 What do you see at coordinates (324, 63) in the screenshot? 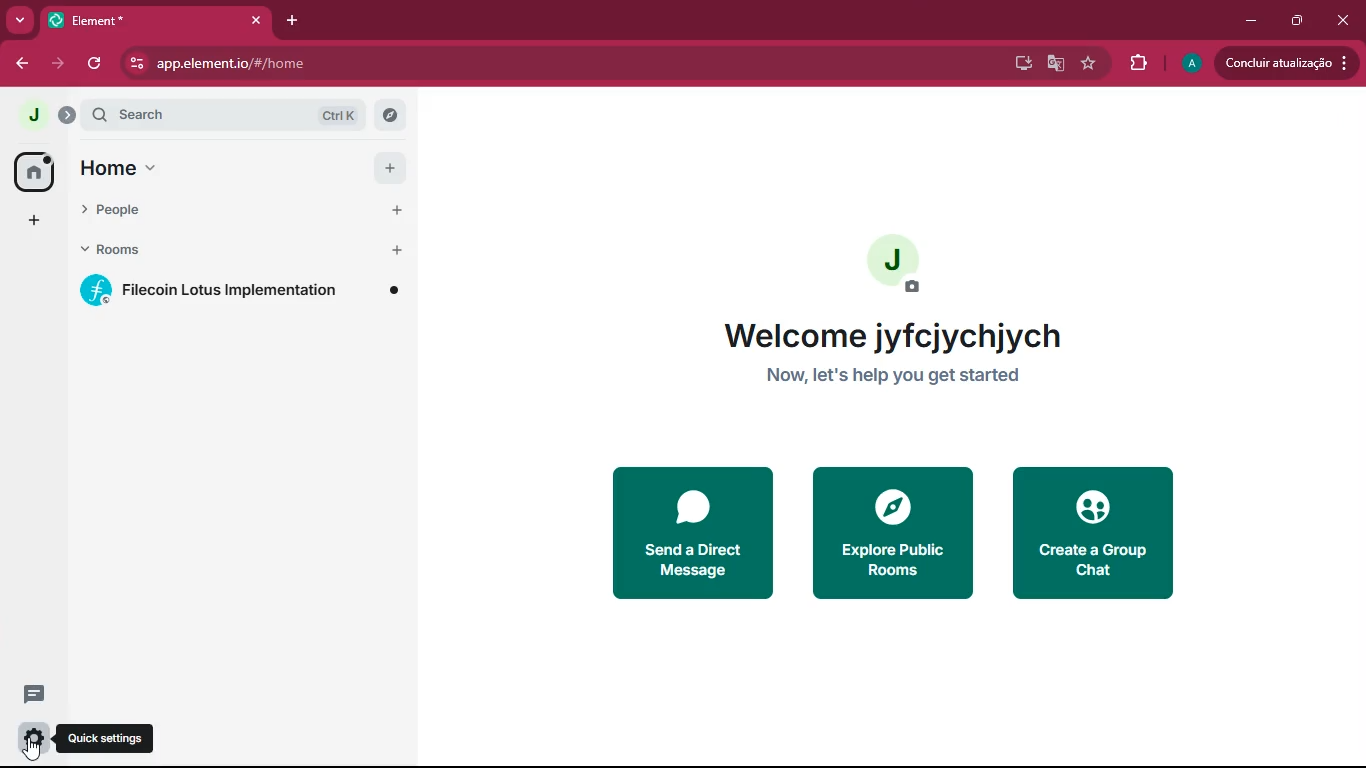
I see `app.element.io/#/home` at bounding box center [324, 63].